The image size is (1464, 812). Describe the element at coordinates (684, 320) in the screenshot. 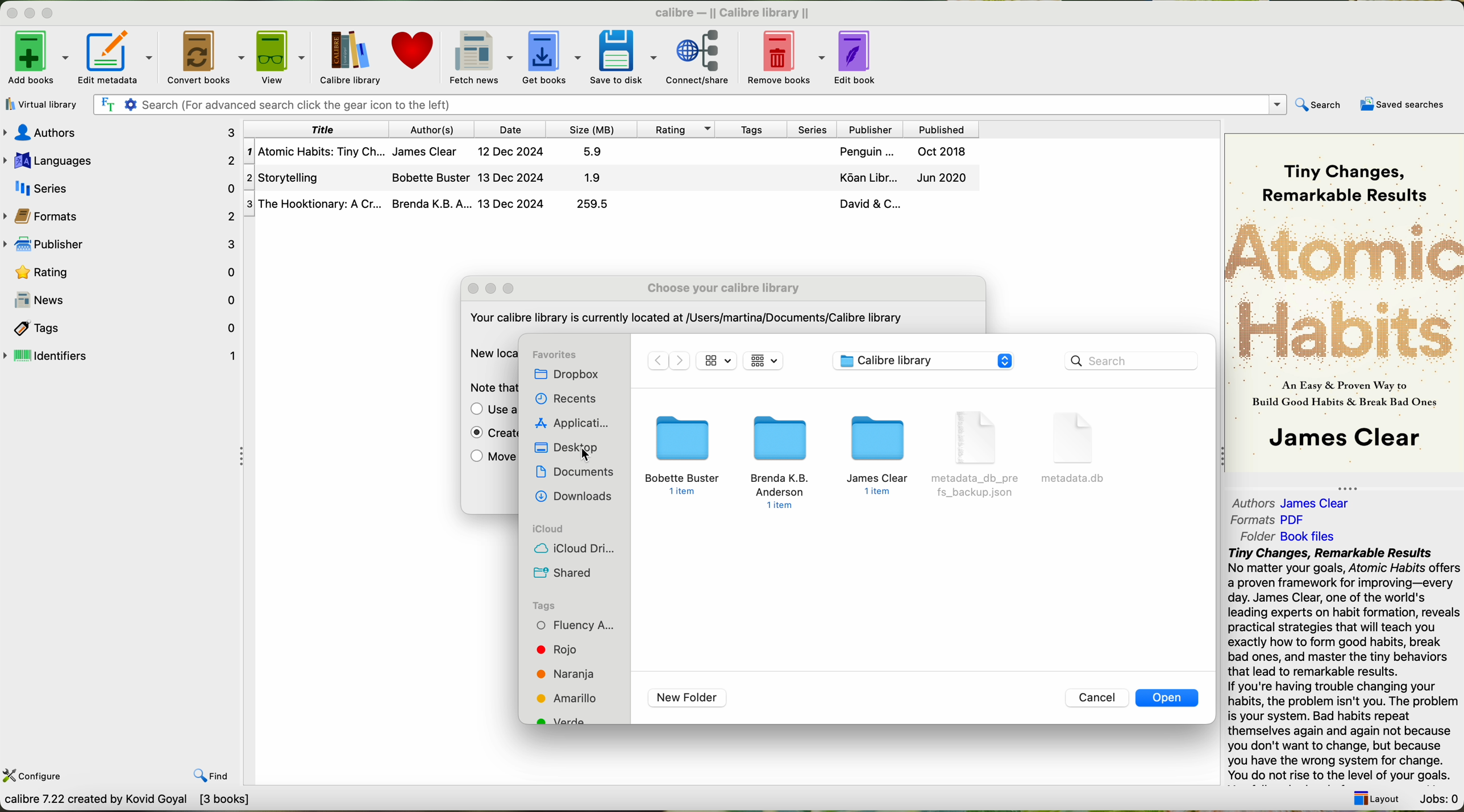

I see `‘Your calibre library Is currently located at /Users/martina/Documents/Calibre library` at that location.